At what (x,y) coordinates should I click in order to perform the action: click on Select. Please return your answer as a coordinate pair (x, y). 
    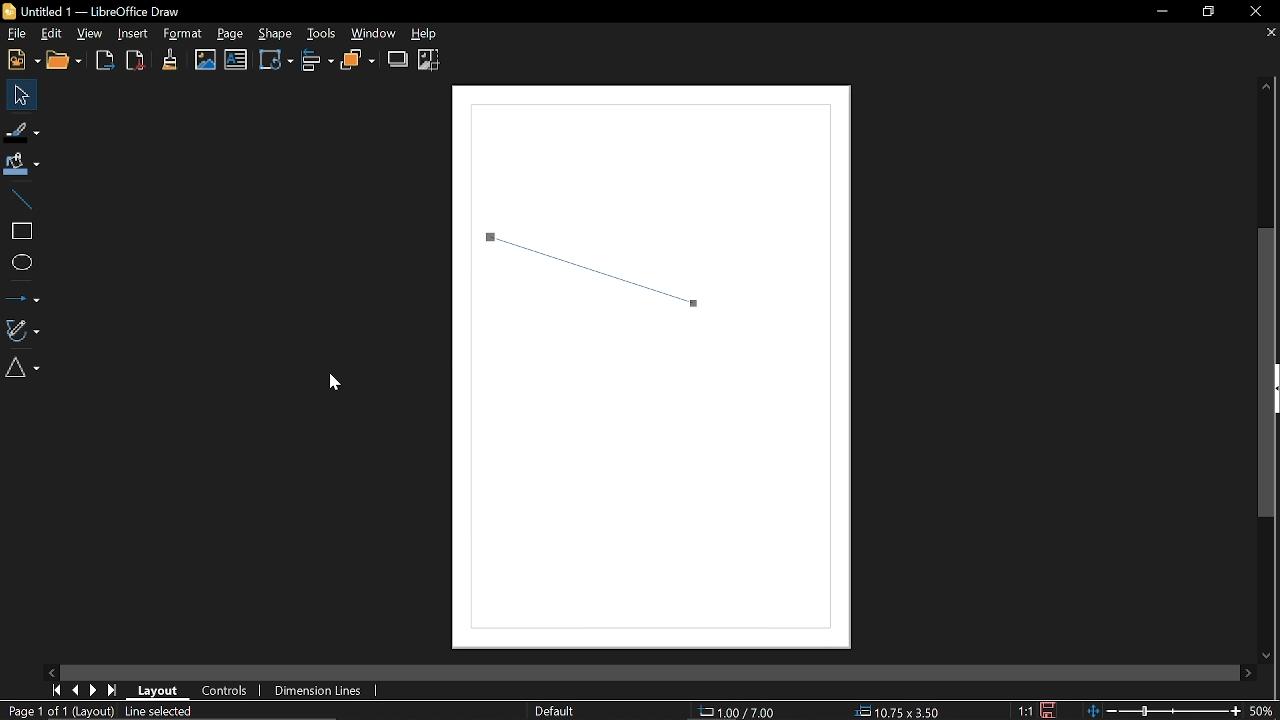
    Looking at the image, I should click on (19, 96).